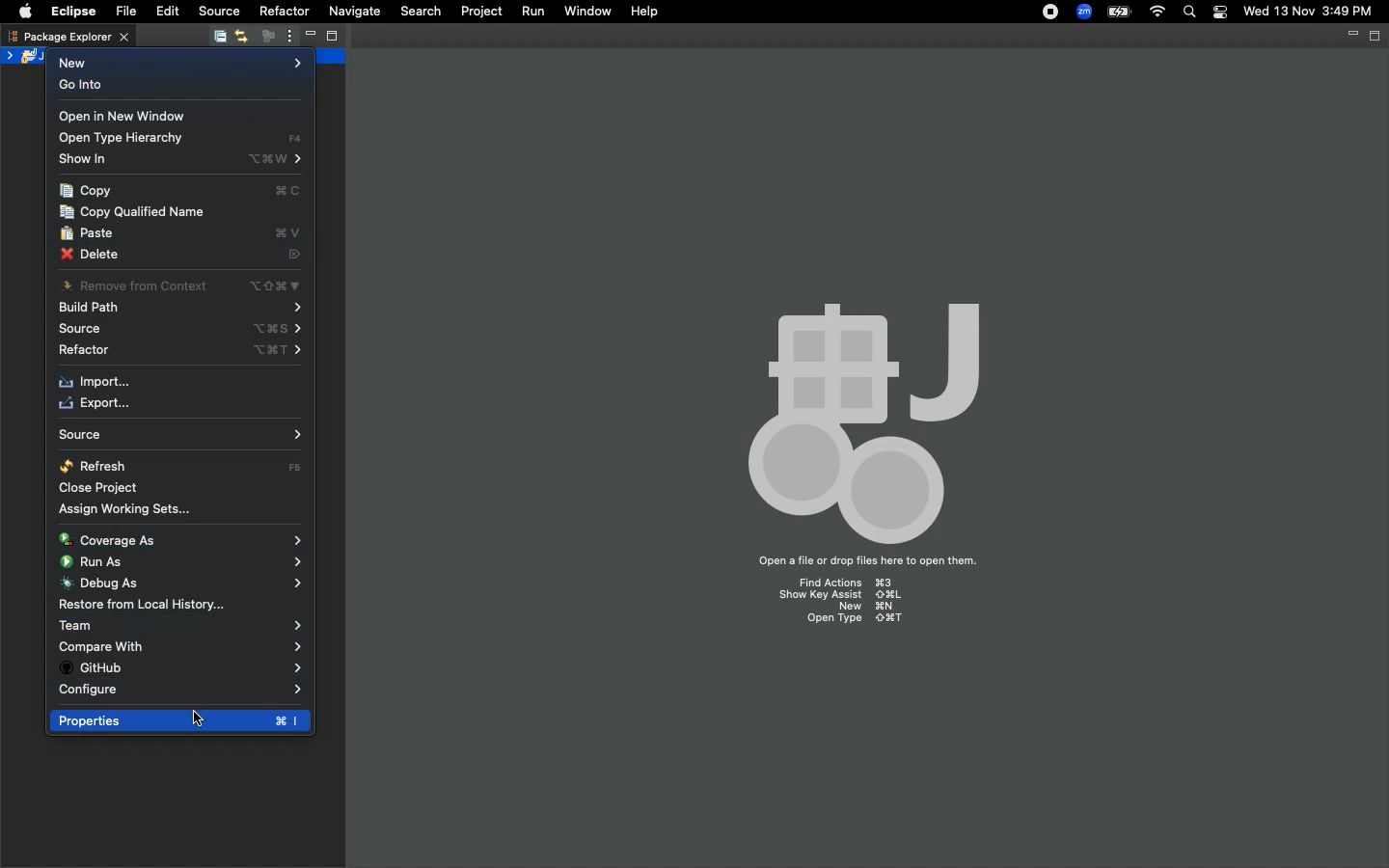  What do you see at coordinates (82, 84) in the screenshot?
I see `Go info` at bounding box center [82, 84].